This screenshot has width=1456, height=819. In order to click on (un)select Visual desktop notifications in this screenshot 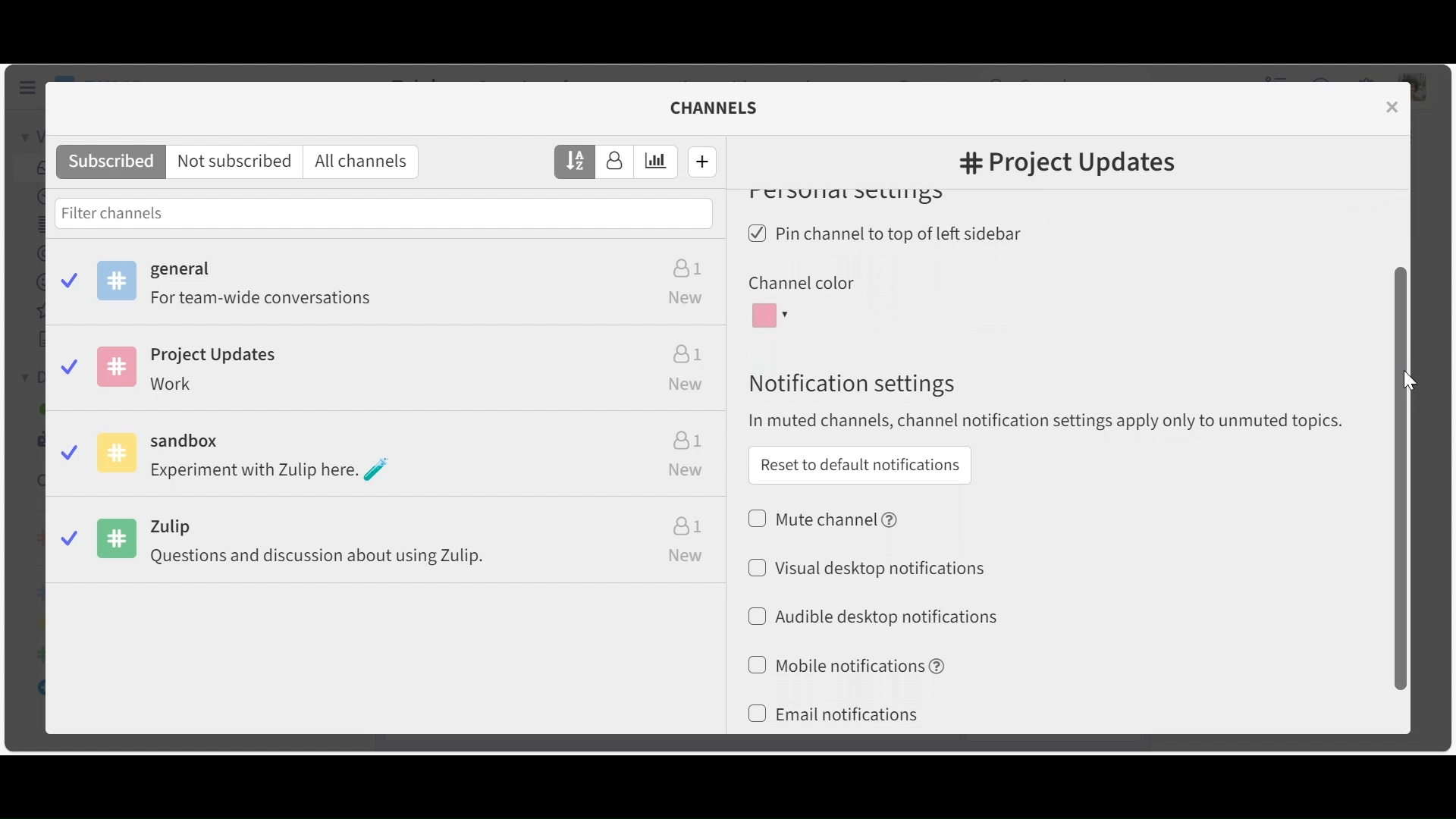, I will do `click(866, 566)`.